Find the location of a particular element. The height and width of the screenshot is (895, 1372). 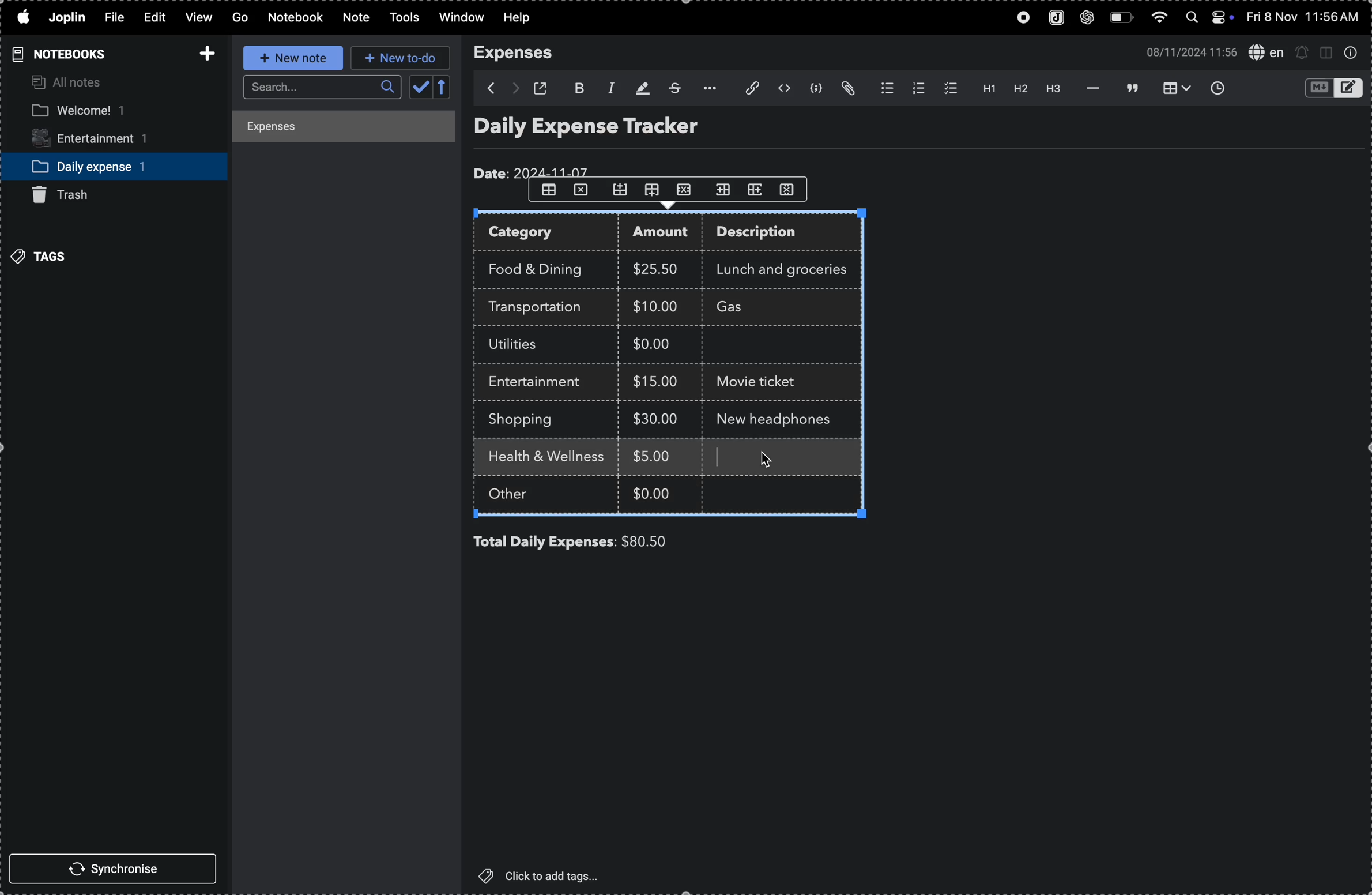

category is located at coordinates (548, 234).